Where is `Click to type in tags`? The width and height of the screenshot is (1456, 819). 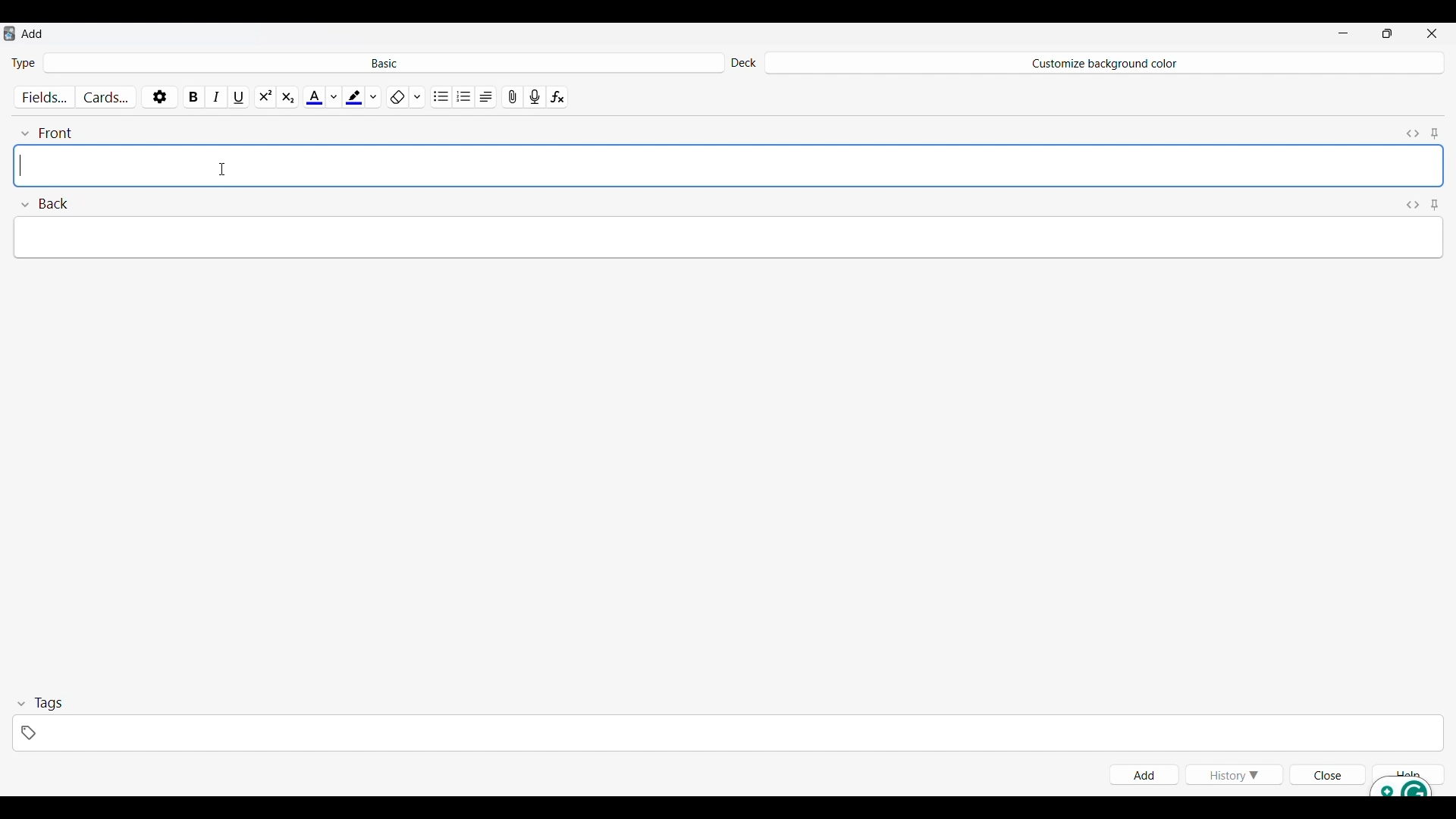 Click to type in tags is located at coordinates (727, 733).